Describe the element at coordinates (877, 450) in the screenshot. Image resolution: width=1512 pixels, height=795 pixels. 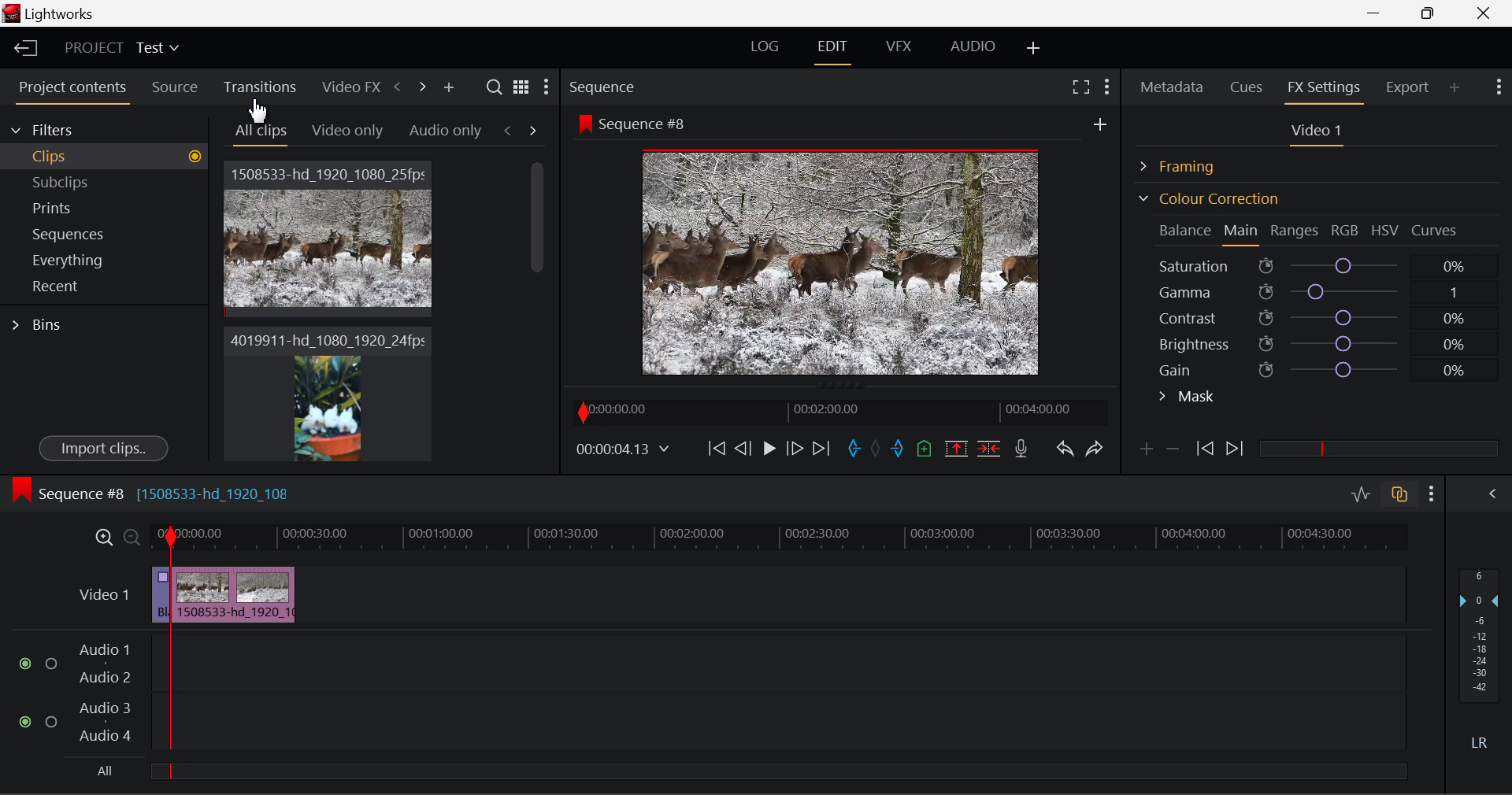
I see `Remove All Marks` at that location.